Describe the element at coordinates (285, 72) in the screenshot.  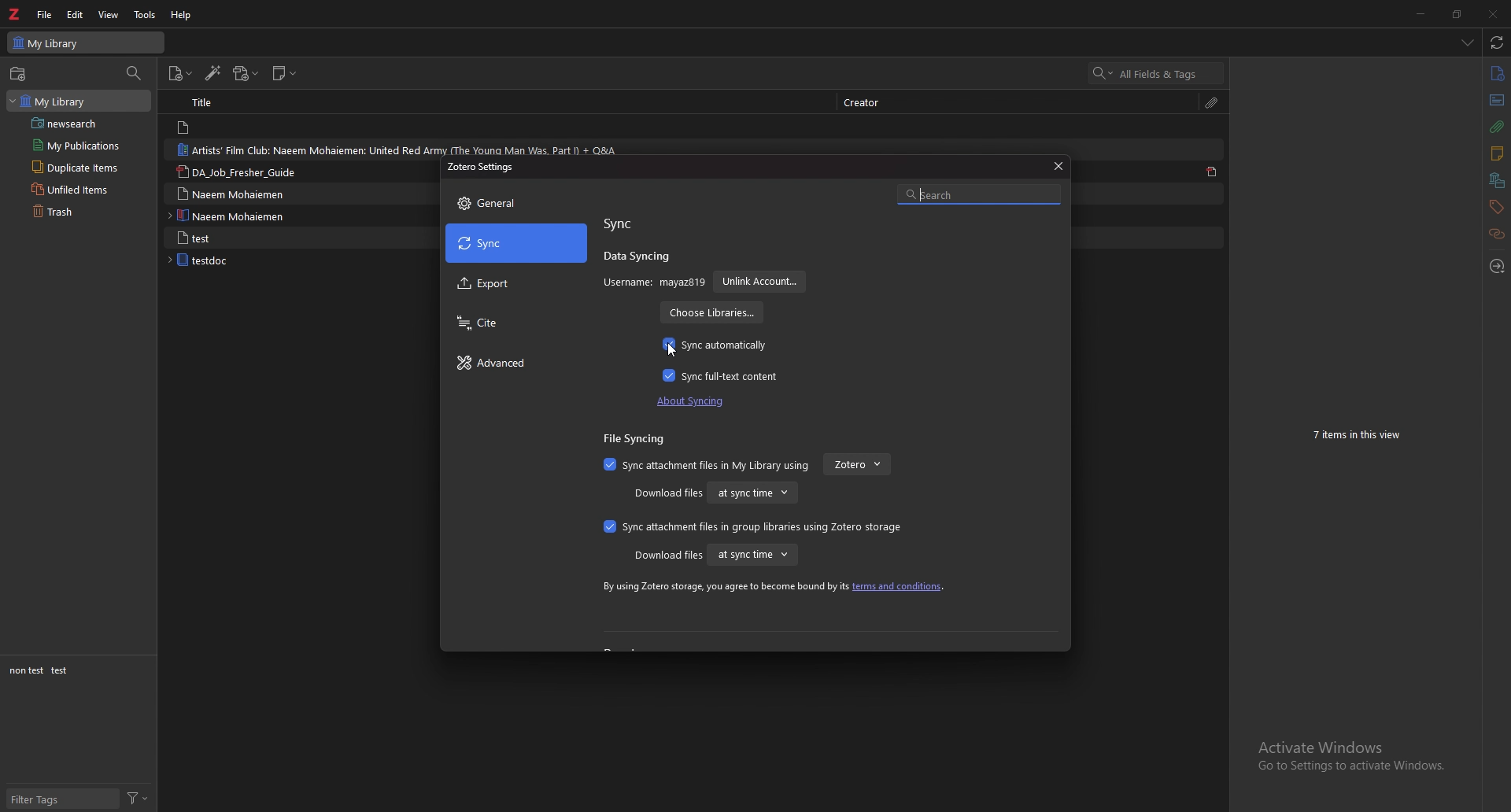
I see `new note` at that location.